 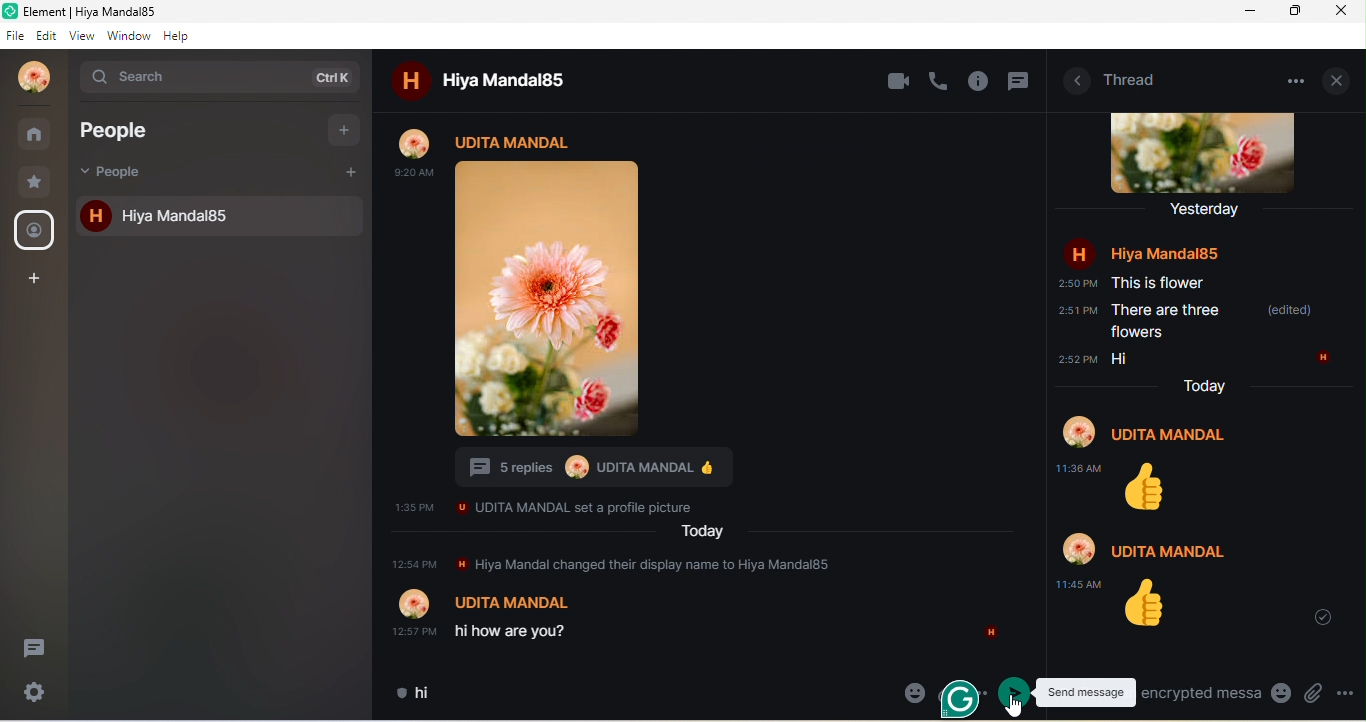 What do you see at coordinates (134, 129) in the screenshot?
I see `people` at bounding box center [134, 129].